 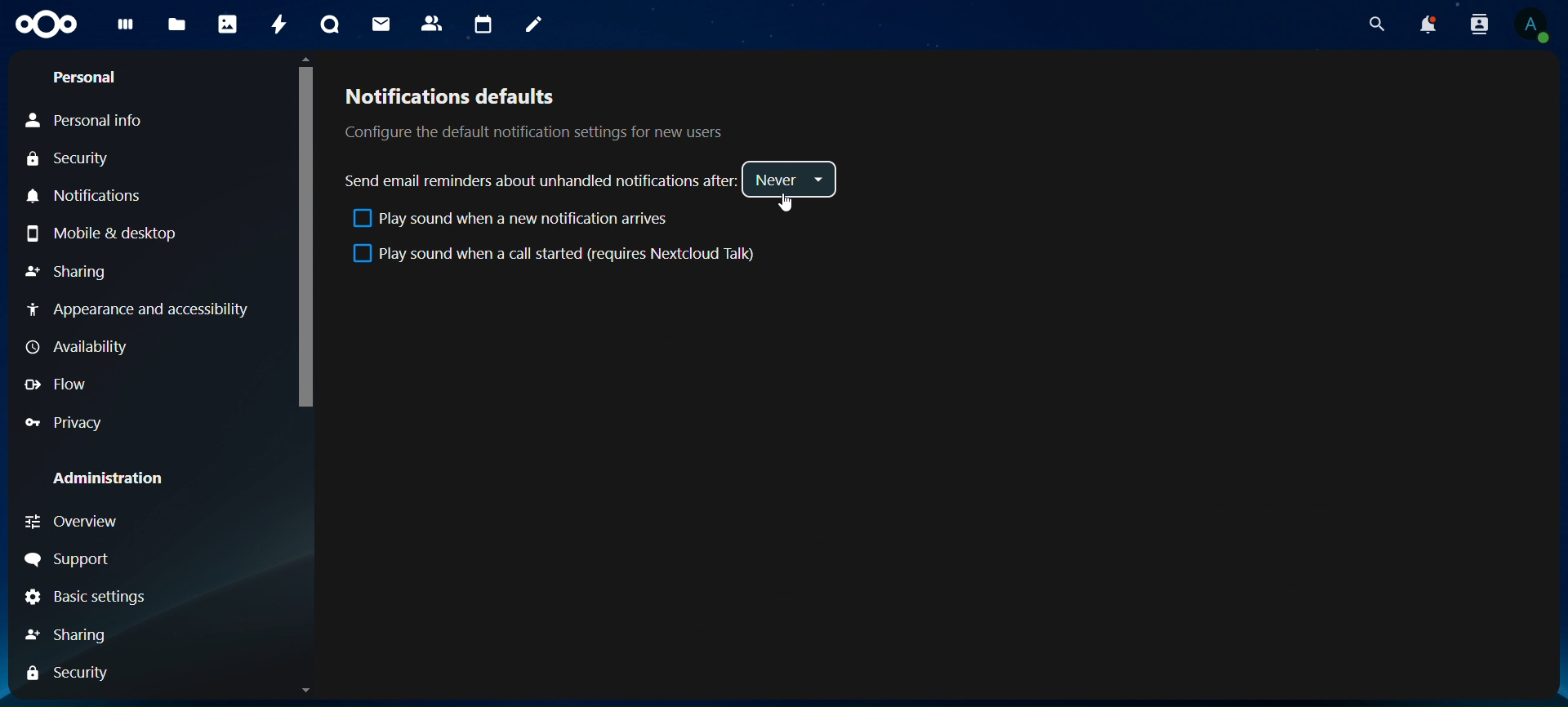 I want to click on icon, so click(x=48, y=24).